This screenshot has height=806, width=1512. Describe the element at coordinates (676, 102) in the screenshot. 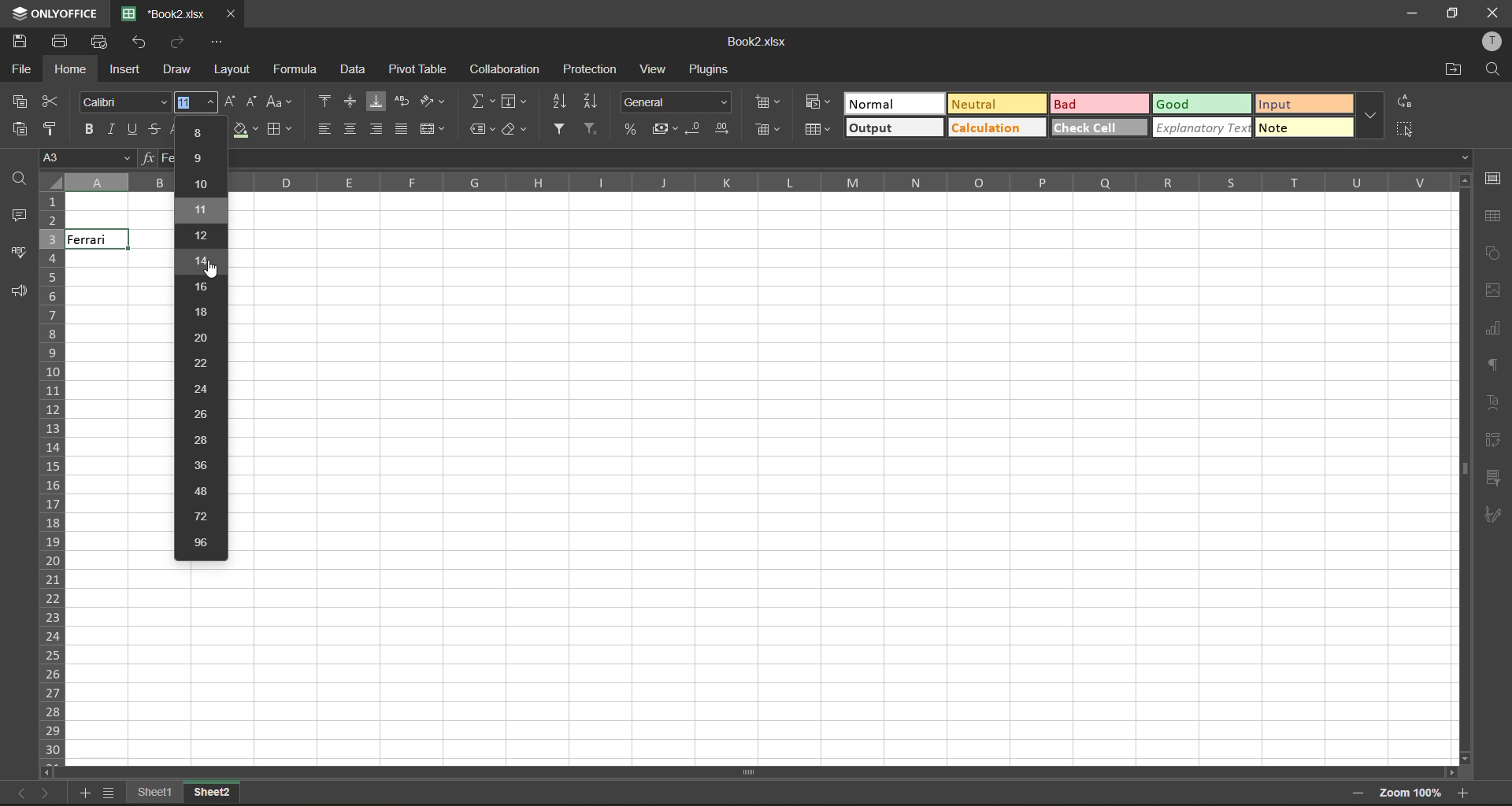

I see `number format` at that location.